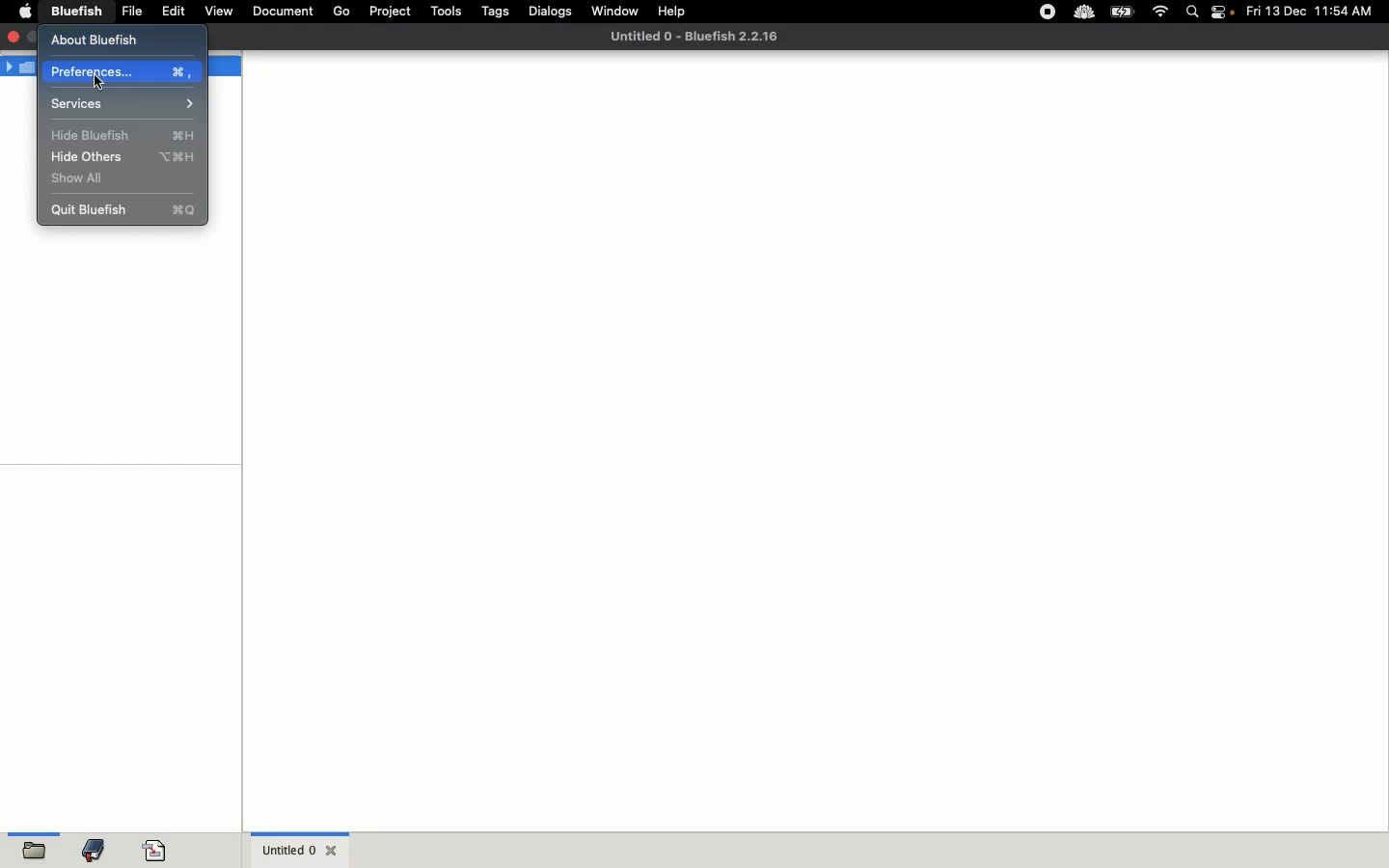 Image resolution: width=1389 pixels, height=868 pixels. Describe the element at coordinates (300, 849) in the screenshot. I see `Untitled` at that location.